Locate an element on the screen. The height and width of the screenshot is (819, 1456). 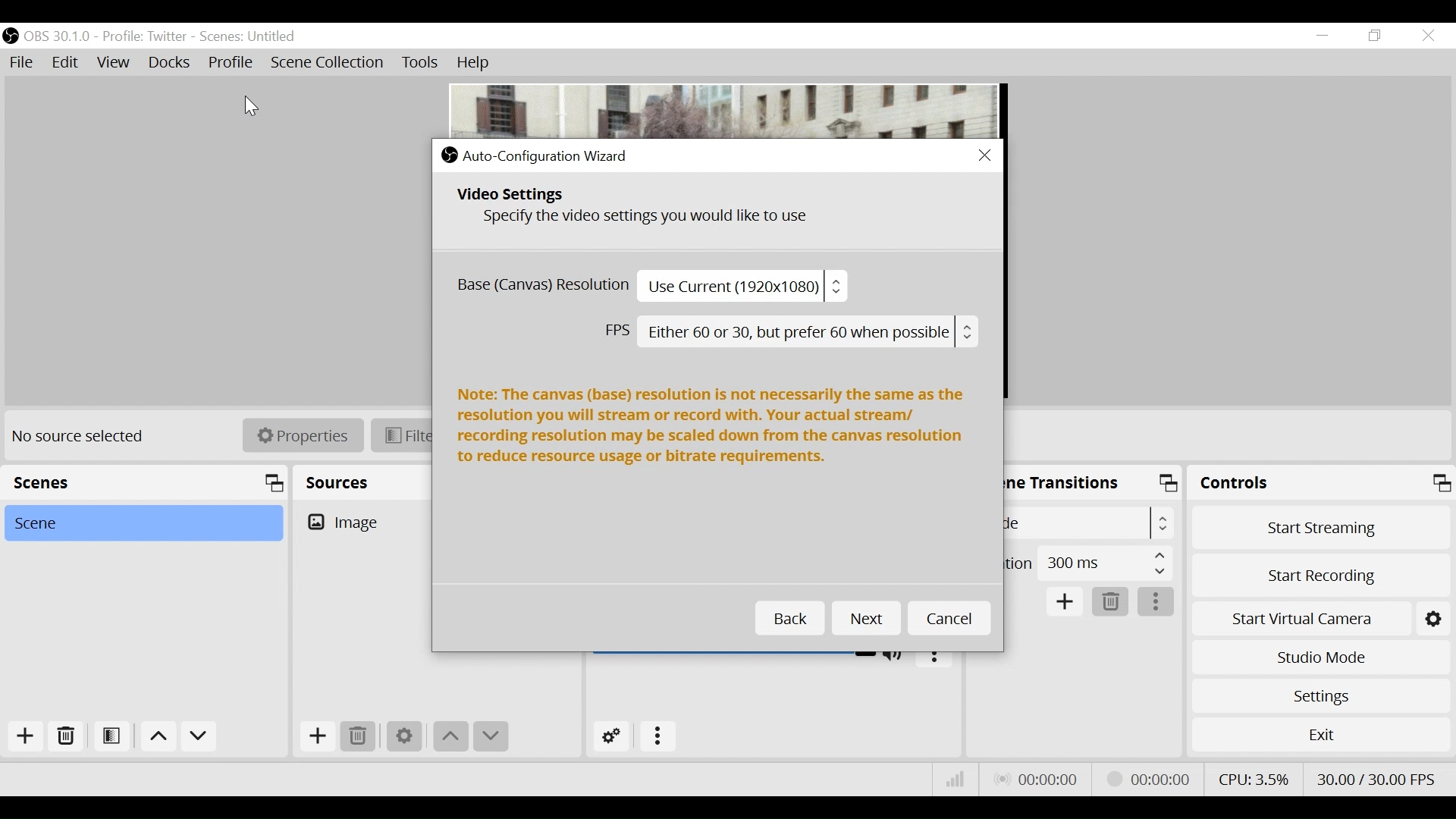
minimize is located at coordinates (1321, 37).